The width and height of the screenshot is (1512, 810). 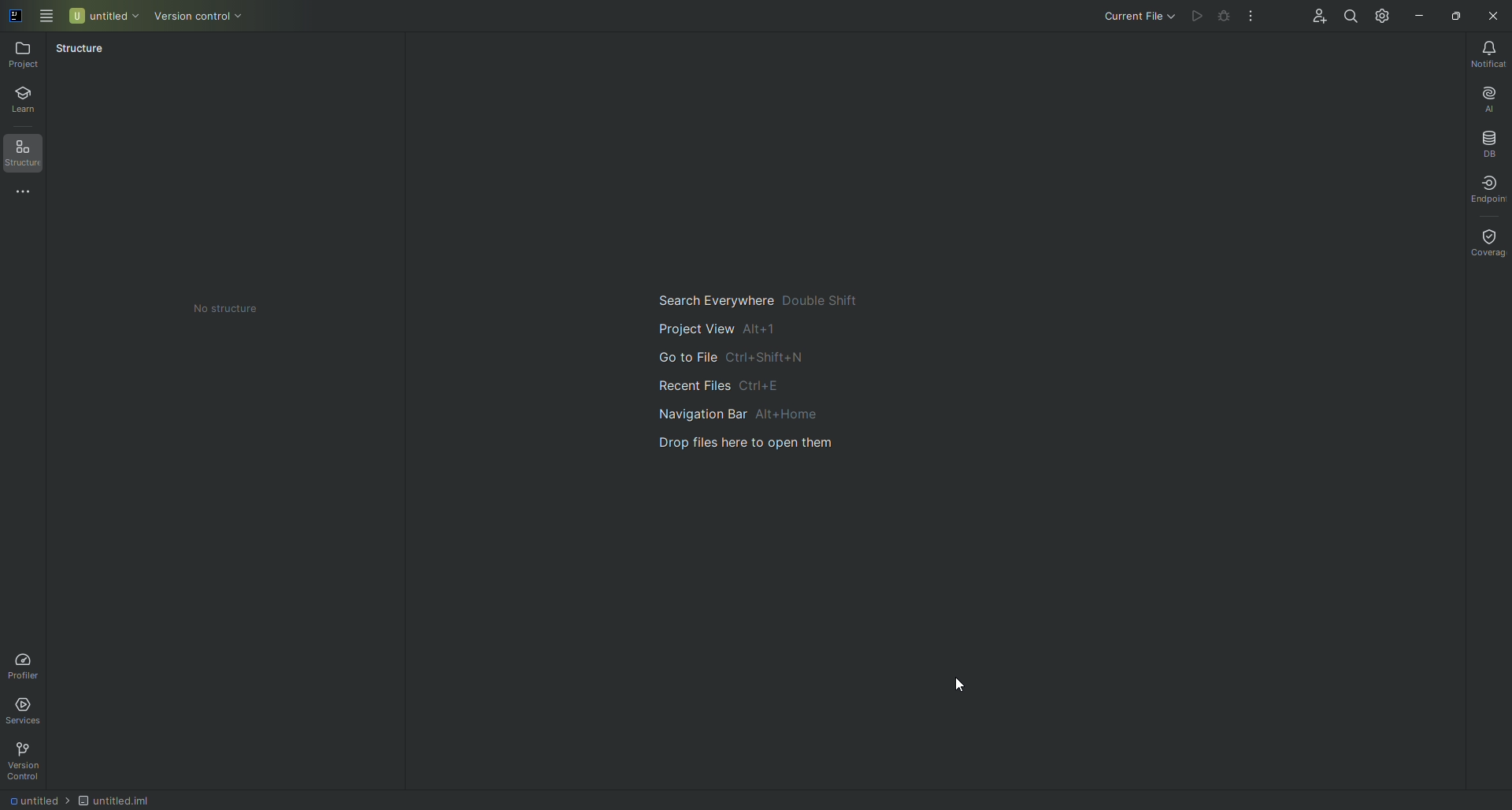 I want to click on Services, so click(x=24, y=713).